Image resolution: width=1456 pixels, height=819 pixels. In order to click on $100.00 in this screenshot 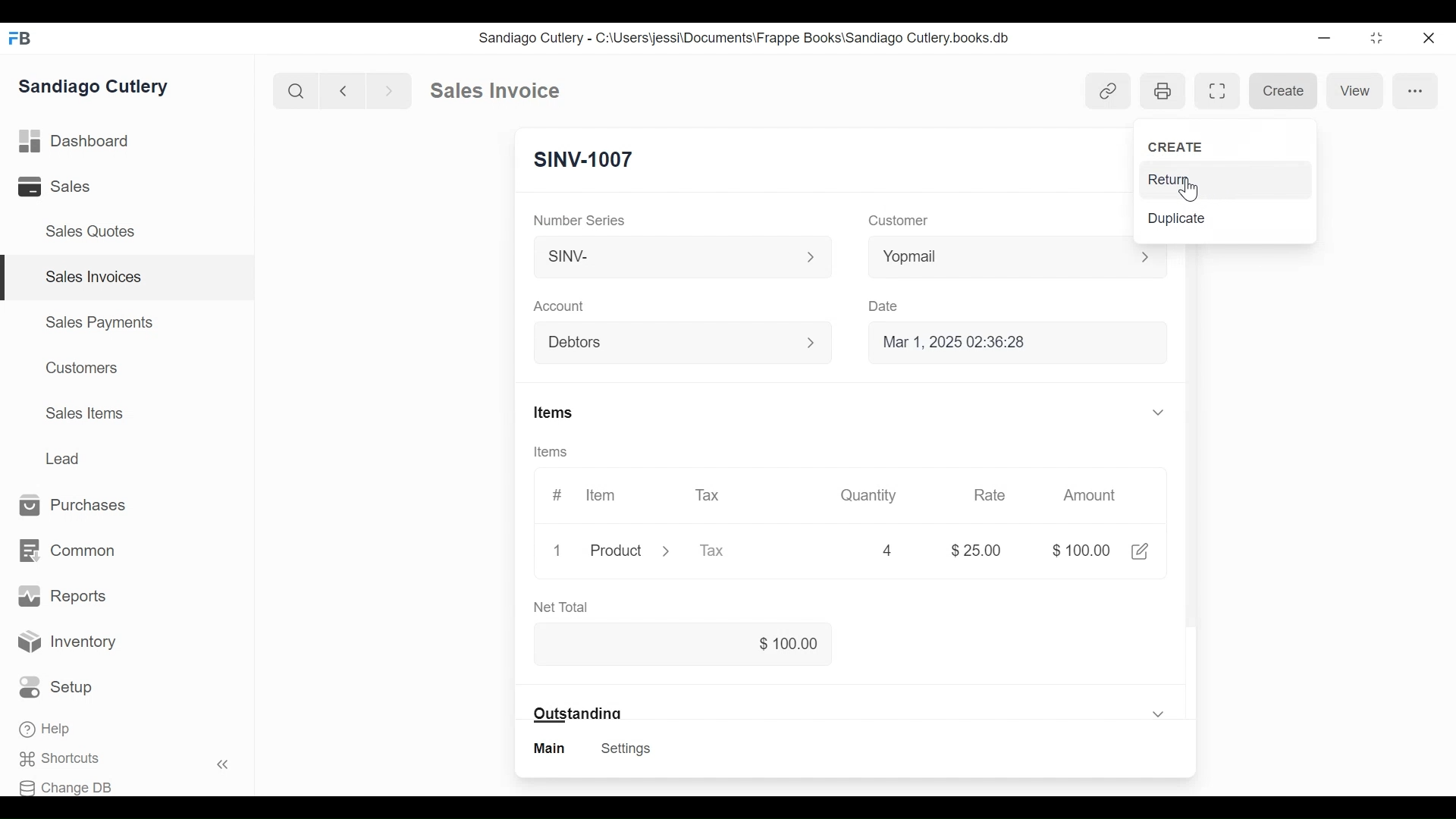, I will do `click(1078, 549)`.